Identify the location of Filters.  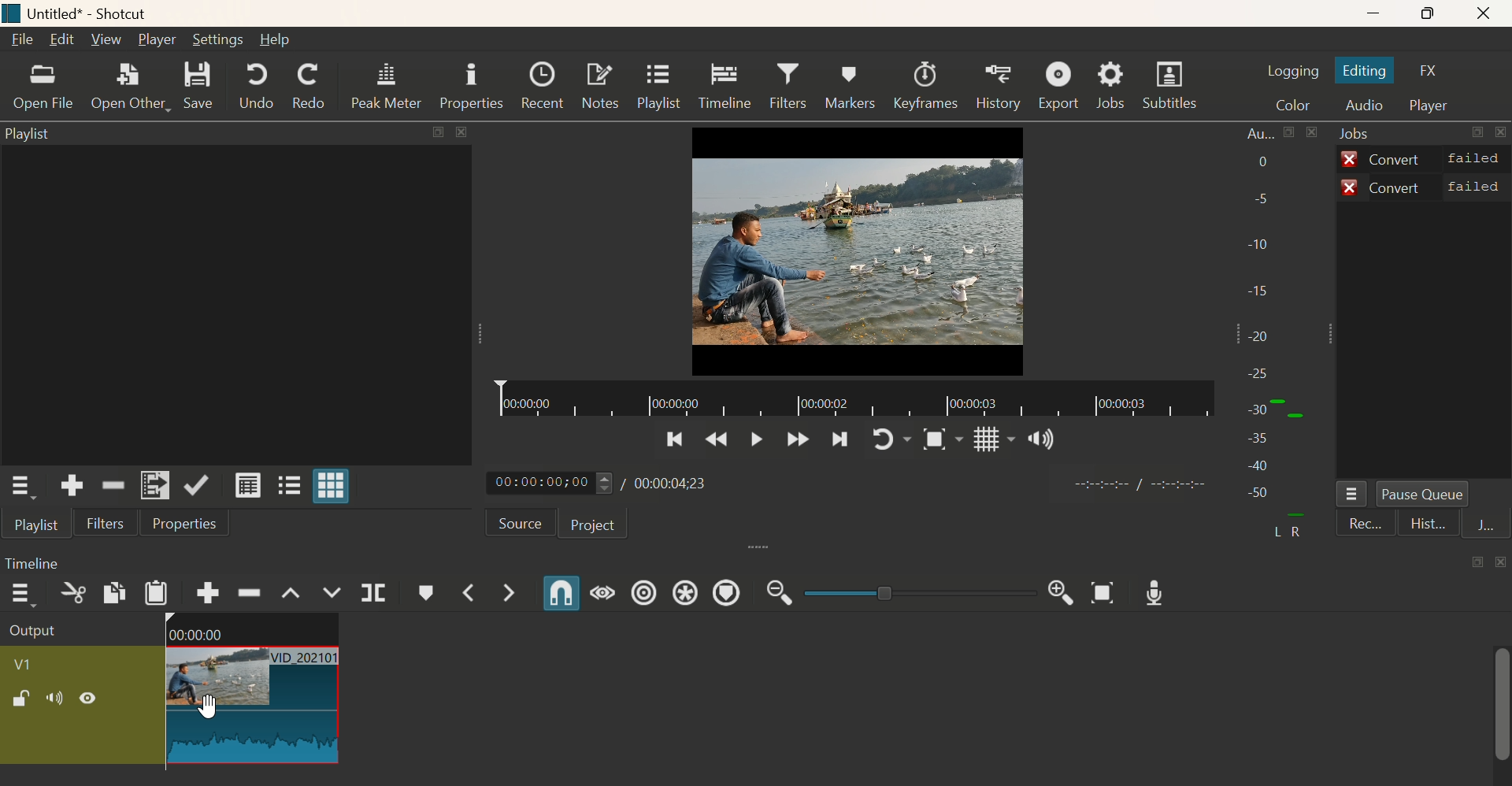
(787, 87).